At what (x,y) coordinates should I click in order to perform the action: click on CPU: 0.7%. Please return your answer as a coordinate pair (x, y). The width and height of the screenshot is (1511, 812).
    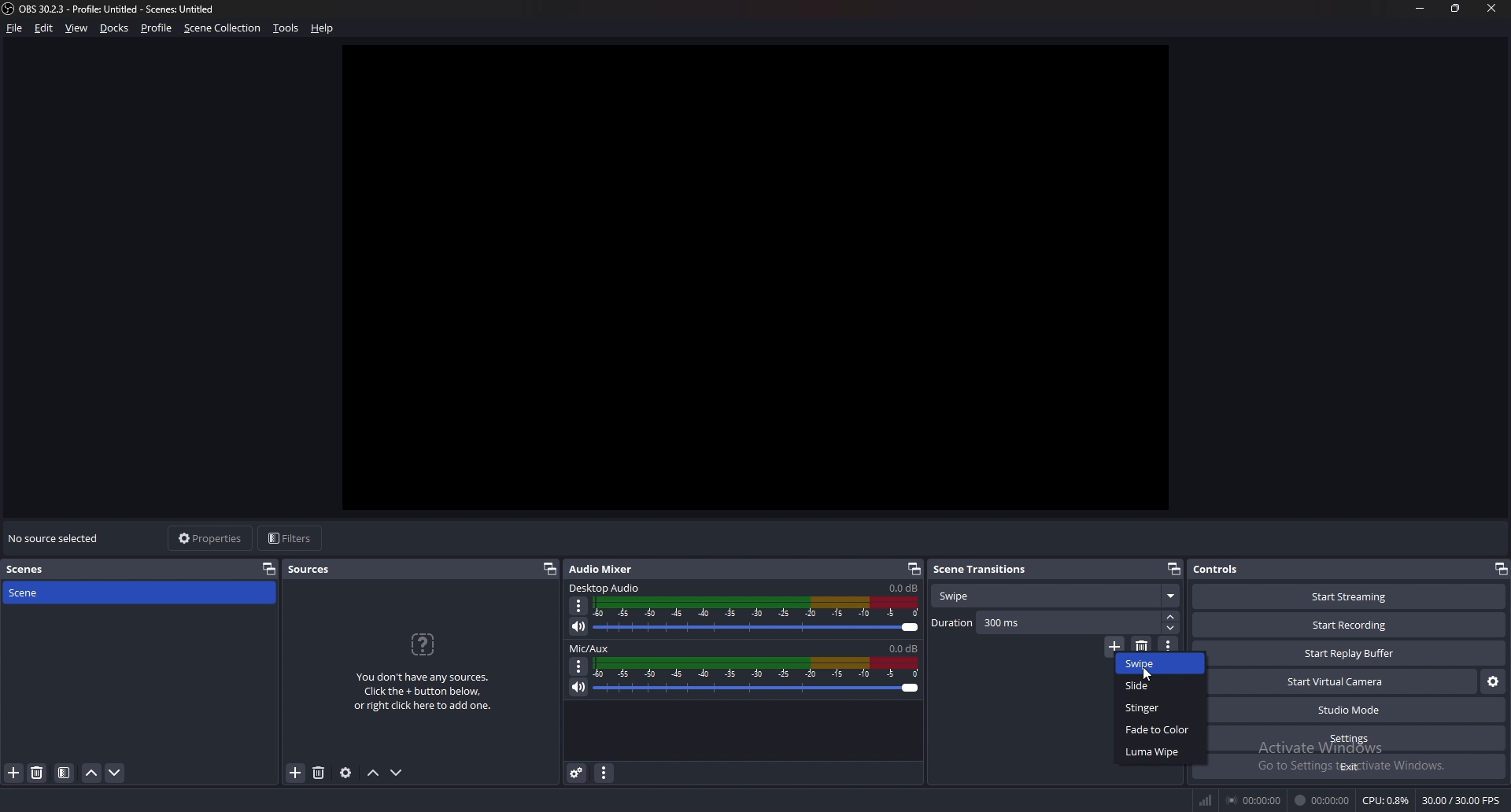
    Looking at the image, I should click on (1387, 801).